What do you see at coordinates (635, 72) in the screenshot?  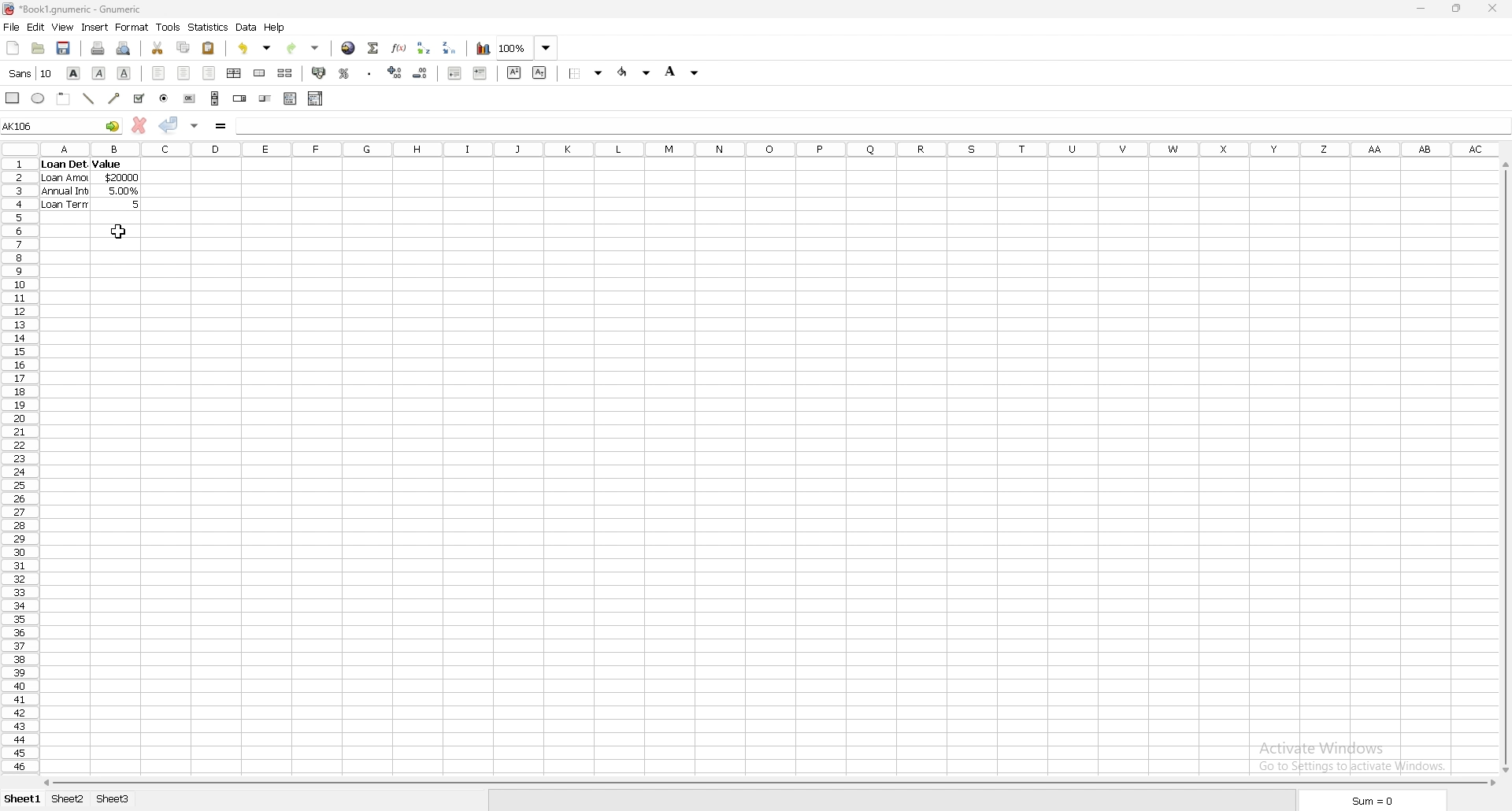 I see `foreground` at bounding box center [635, 72].